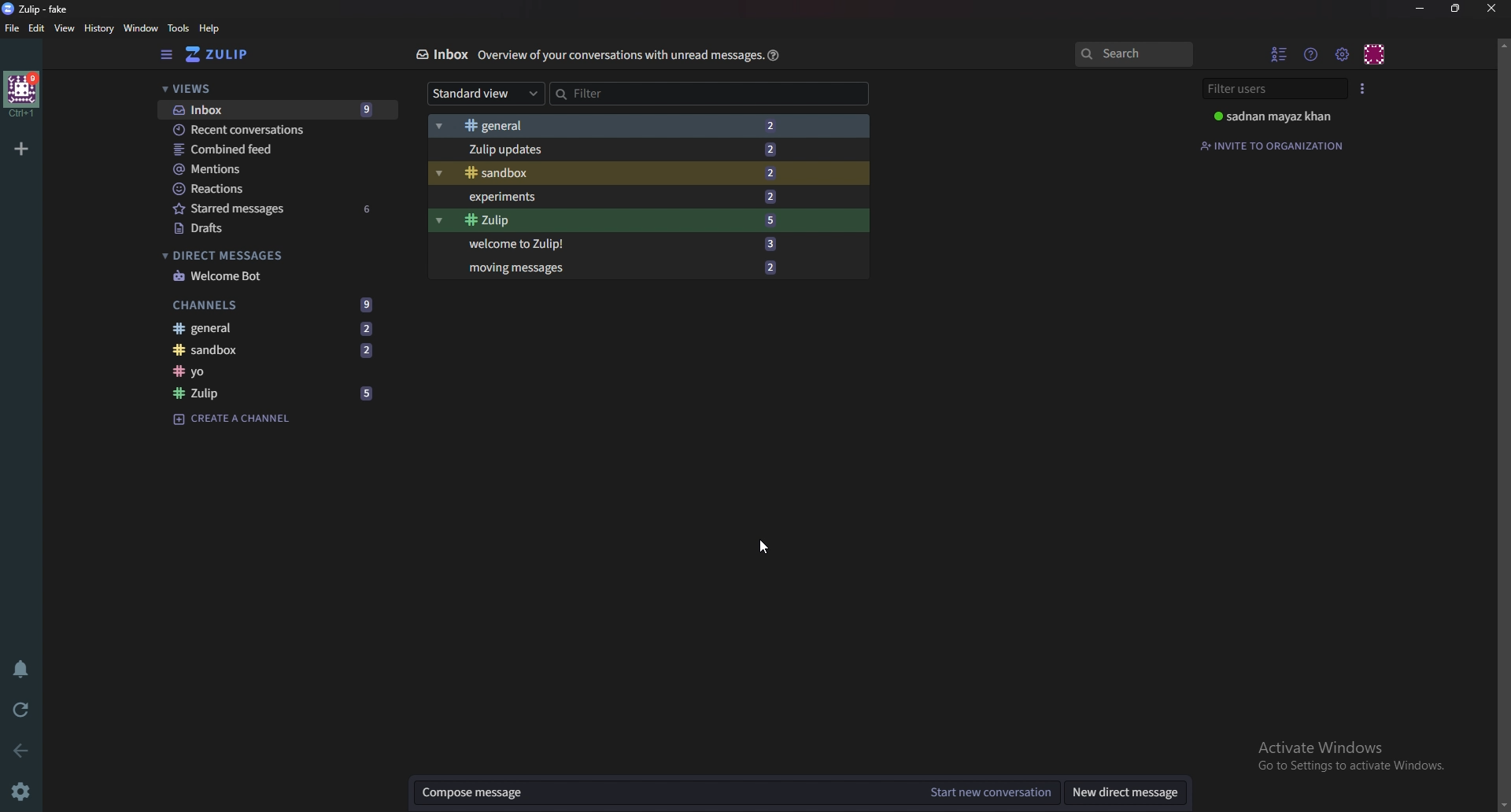 This screenshot has width=1511, height=812. Describe the element at coordinates (279, 129) in the screenshot. I see `Recent conversations` at that location.